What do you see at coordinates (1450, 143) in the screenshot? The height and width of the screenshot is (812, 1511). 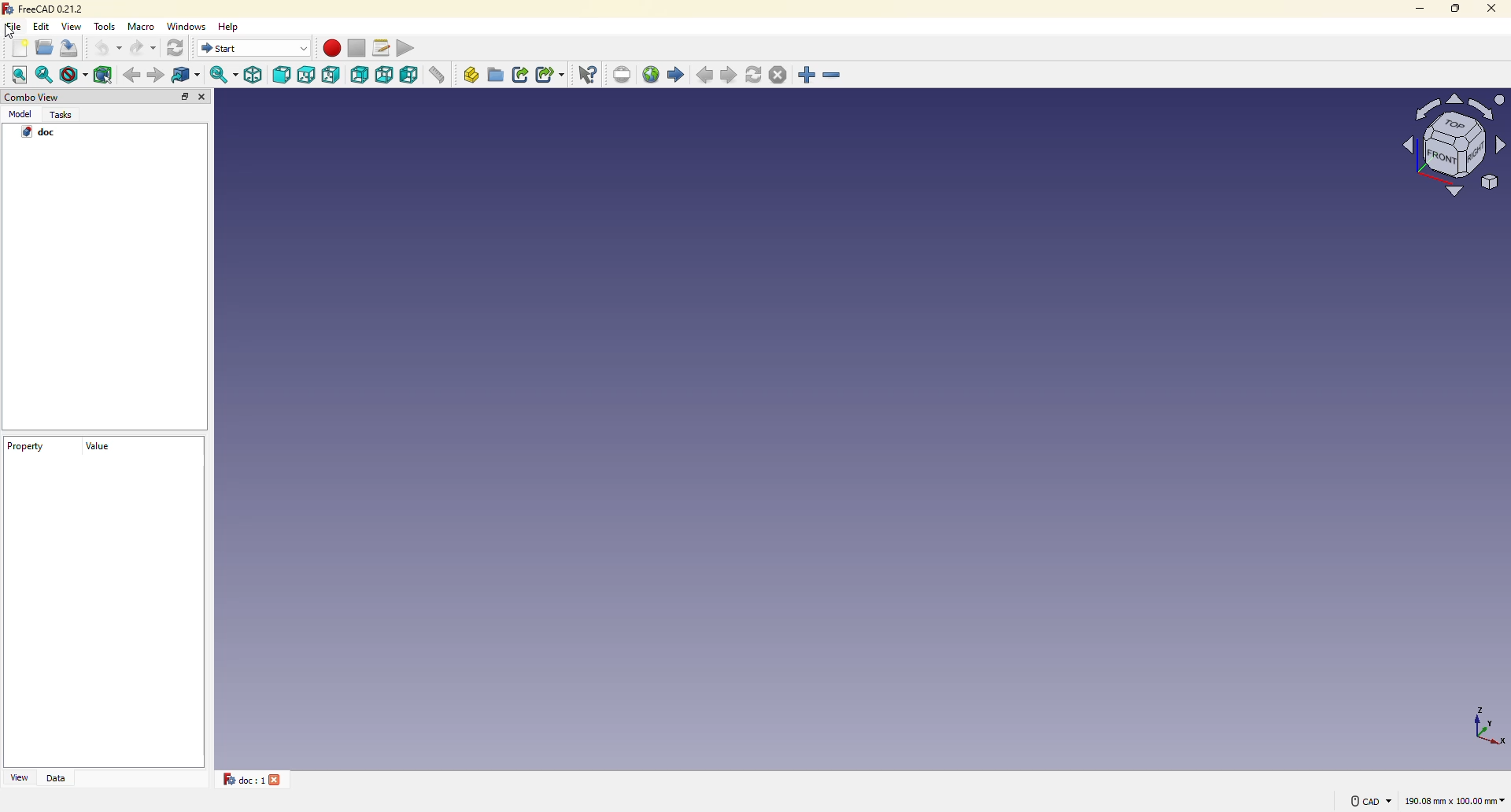 I see `model view` at bounding box center [1450, 143].